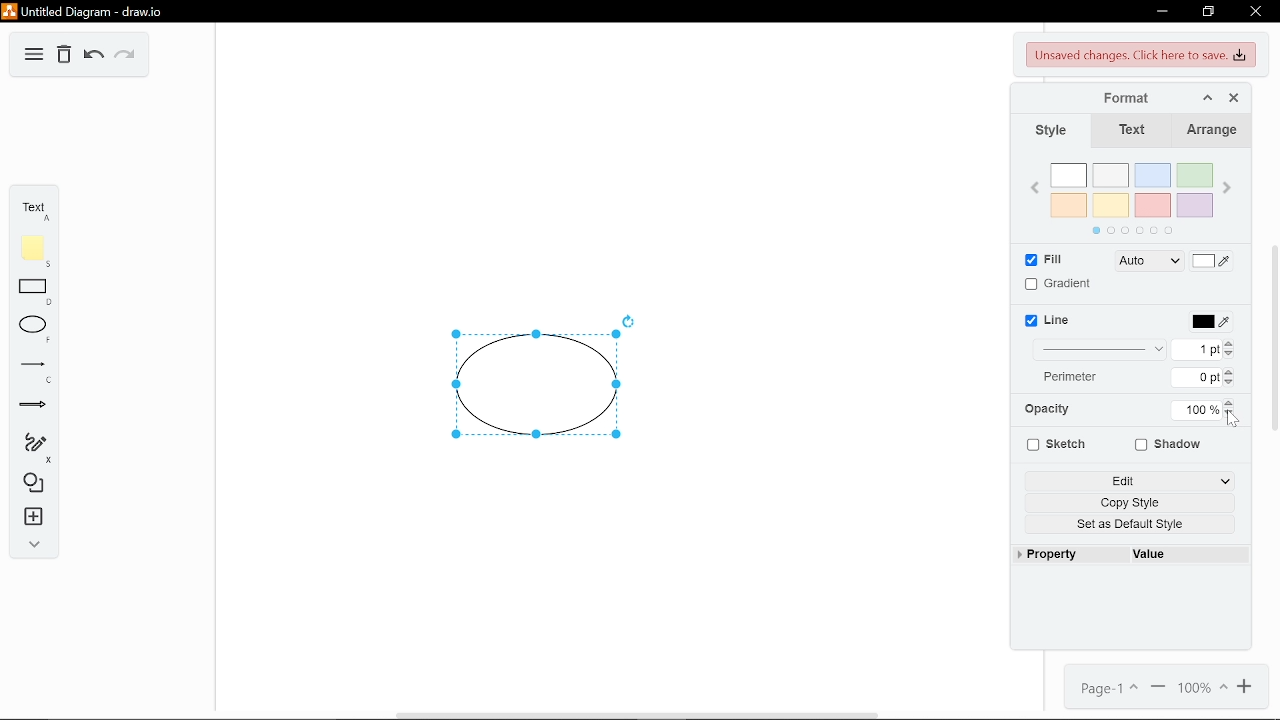  What do you see at coordinates (538, 391) in the screenshot?
I see `Current diagram` at bounding box center [538, 391].